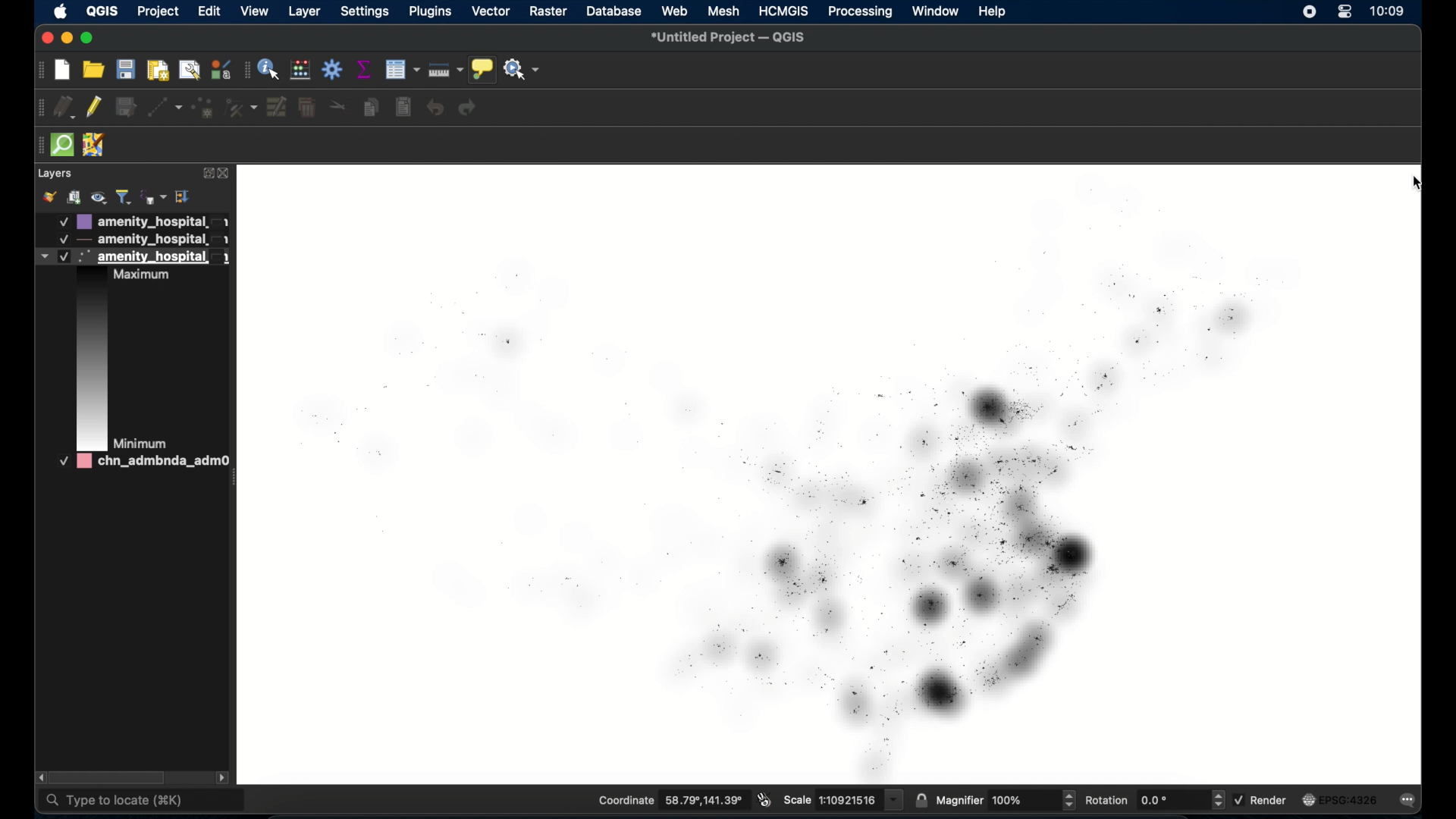  Describe the element at coordinates (920, 801) in the screenshot. I see `lock scale` at that location.